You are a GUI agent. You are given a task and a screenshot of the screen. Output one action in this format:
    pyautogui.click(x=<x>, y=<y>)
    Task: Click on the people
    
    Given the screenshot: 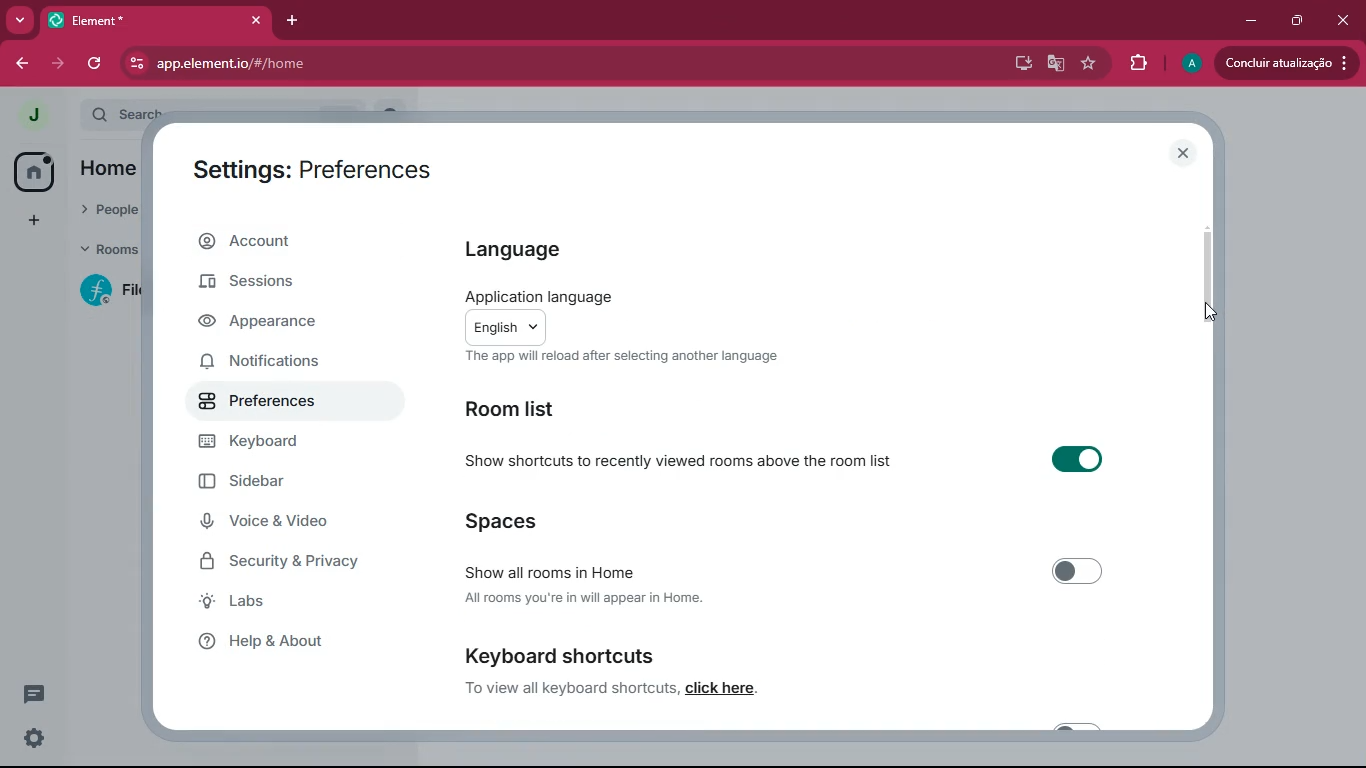 What is the action you would take?
    pyautogui.click(x=110, y=207)
    